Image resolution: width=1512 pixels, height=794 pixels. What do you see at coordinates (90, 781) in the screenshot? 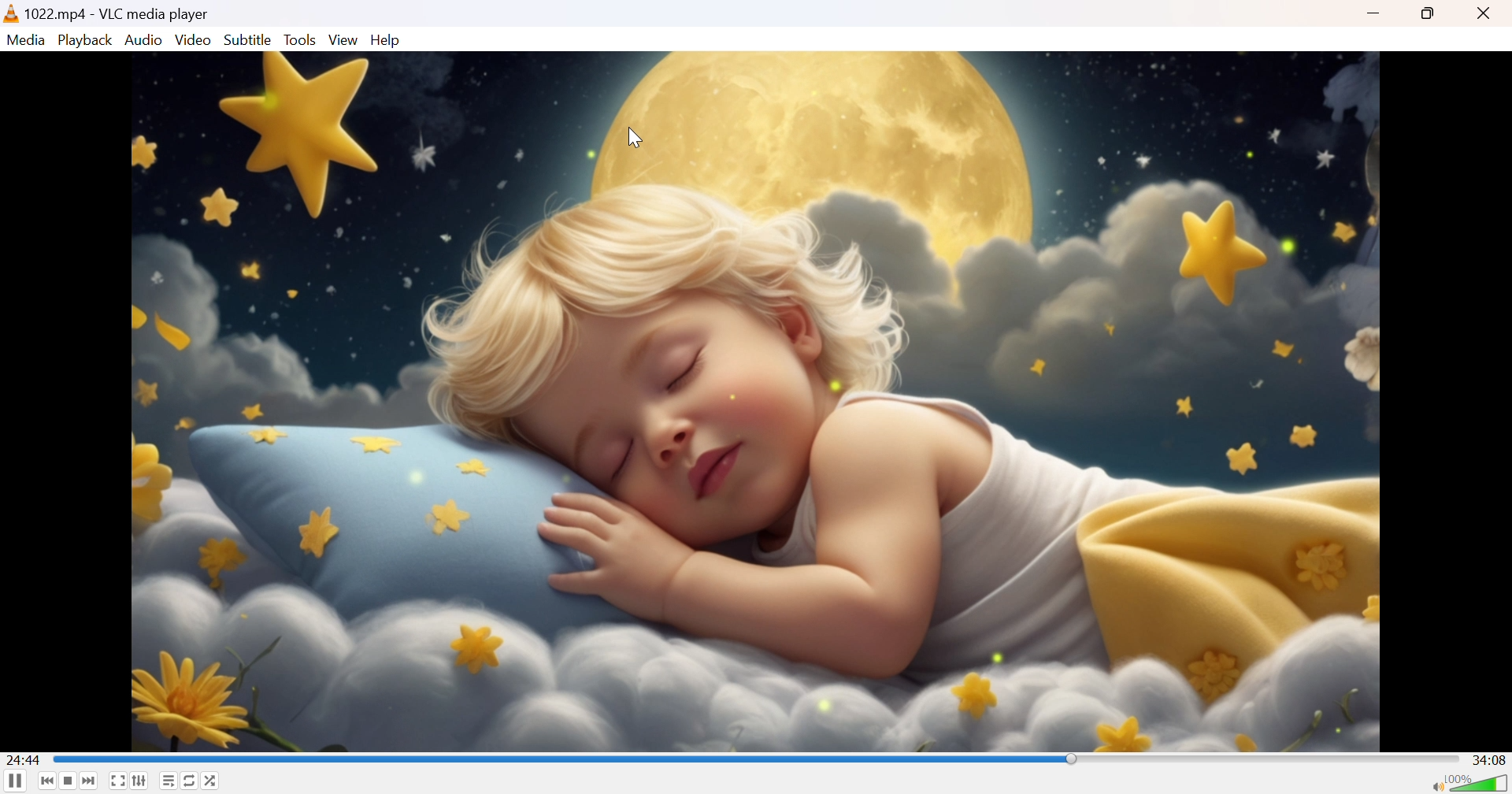
I see `Next media in the playlist, skip forward when held` at bounding box center [90, 781].